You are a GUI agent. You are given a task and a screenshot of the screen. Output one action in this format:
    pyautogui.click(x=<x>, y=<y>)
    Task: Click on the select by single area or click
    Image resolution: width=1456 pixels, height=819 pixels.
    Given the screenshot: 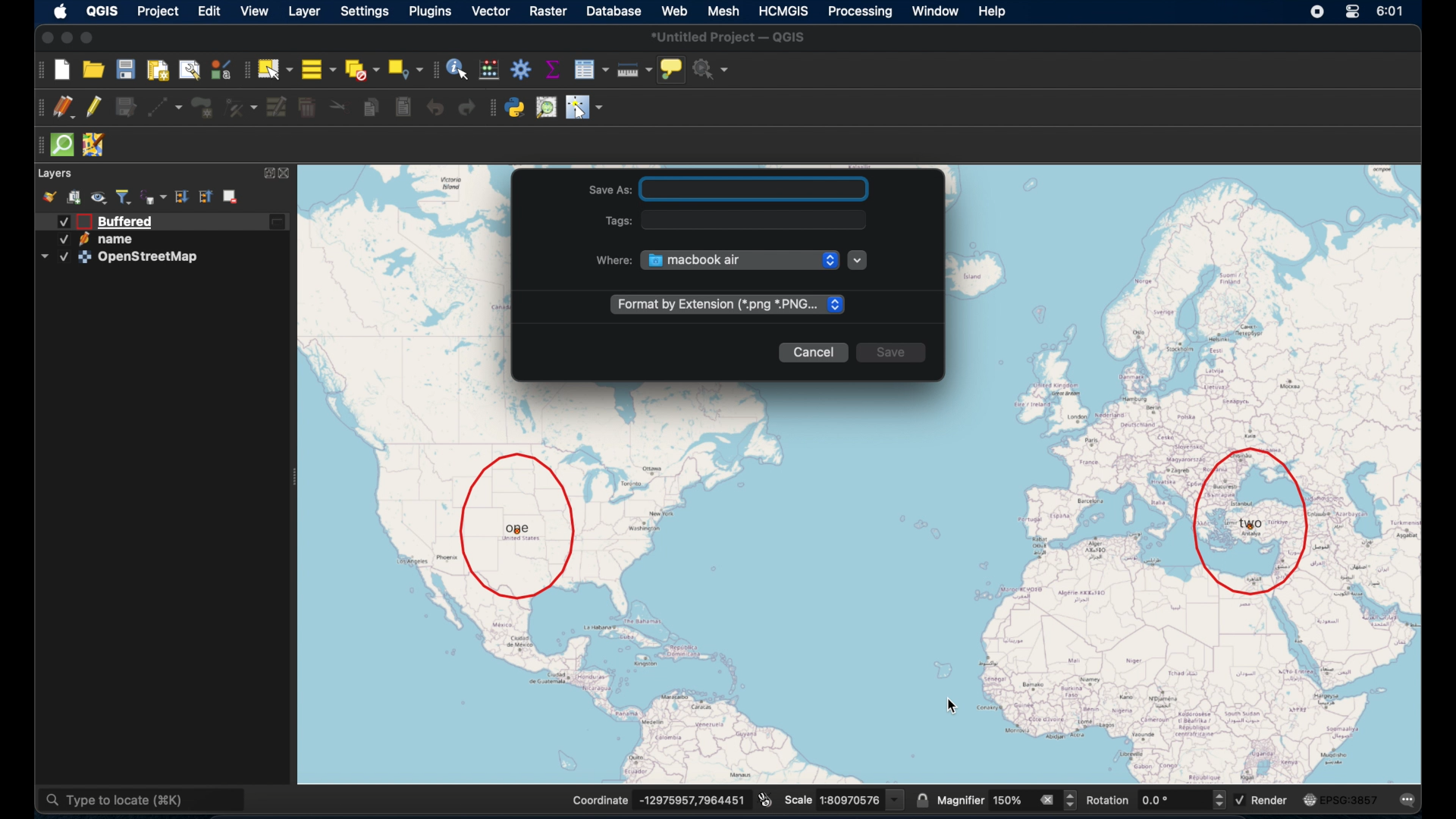 What is the action you would take?
    pyautogui.click(x=274, y=68)
    